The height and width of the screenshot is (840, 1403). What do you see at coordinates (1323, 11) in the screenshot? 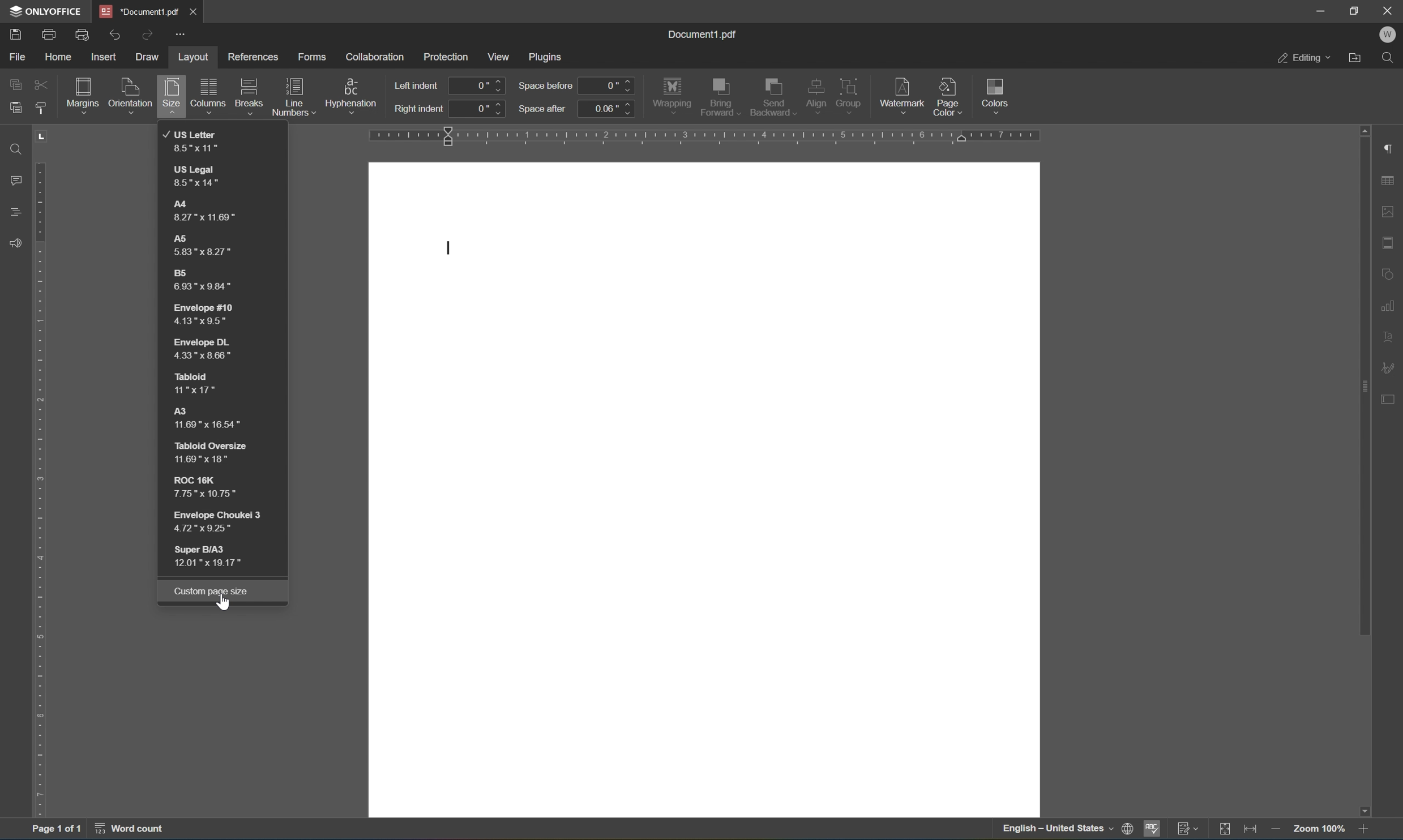
I see `minimize` at bounding box center [1323, 11].